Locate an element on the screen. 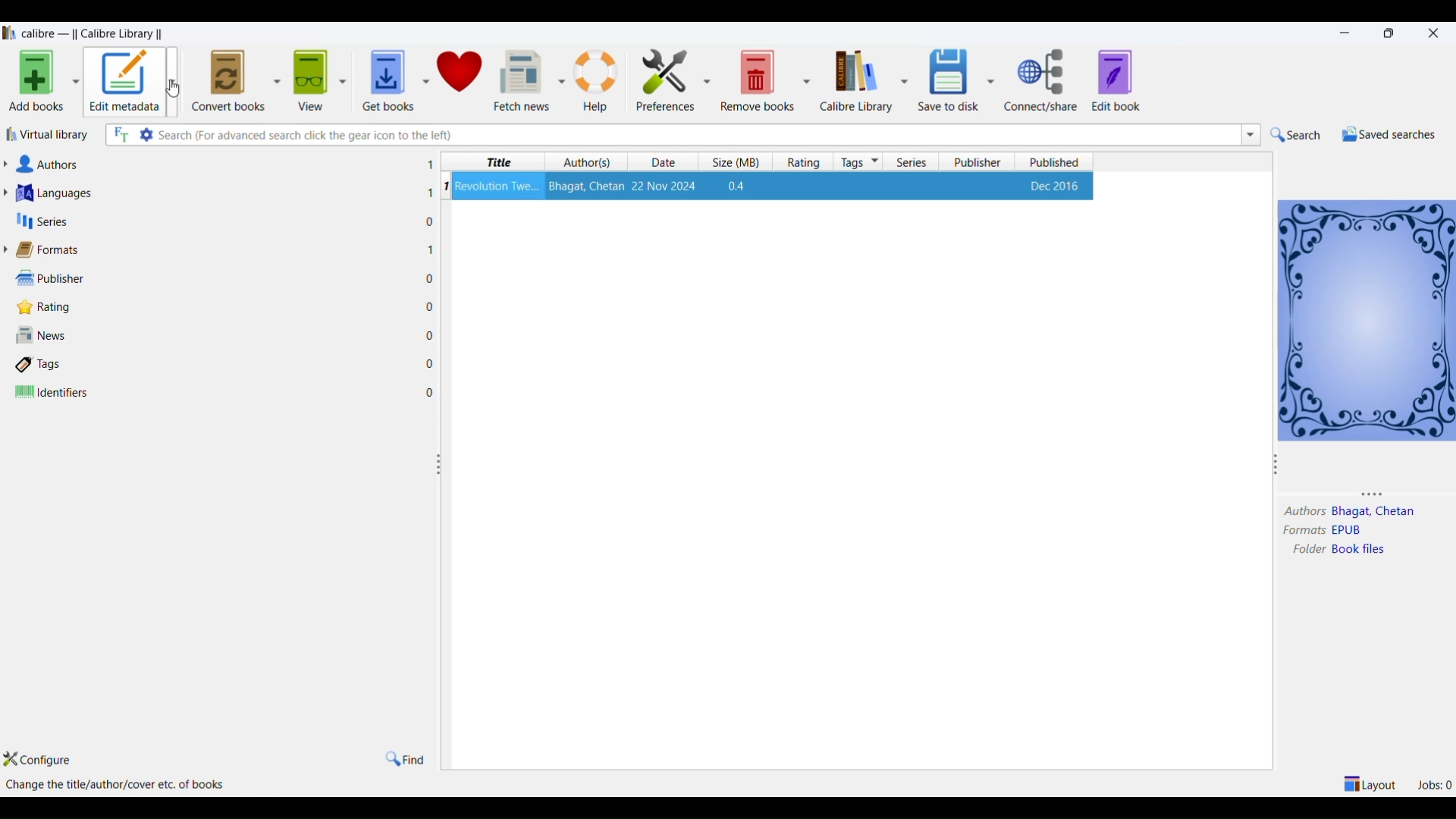 Image resolution: width=1456 pixels, height=819 pixels. save to disk is located at coordinates (946, 76).